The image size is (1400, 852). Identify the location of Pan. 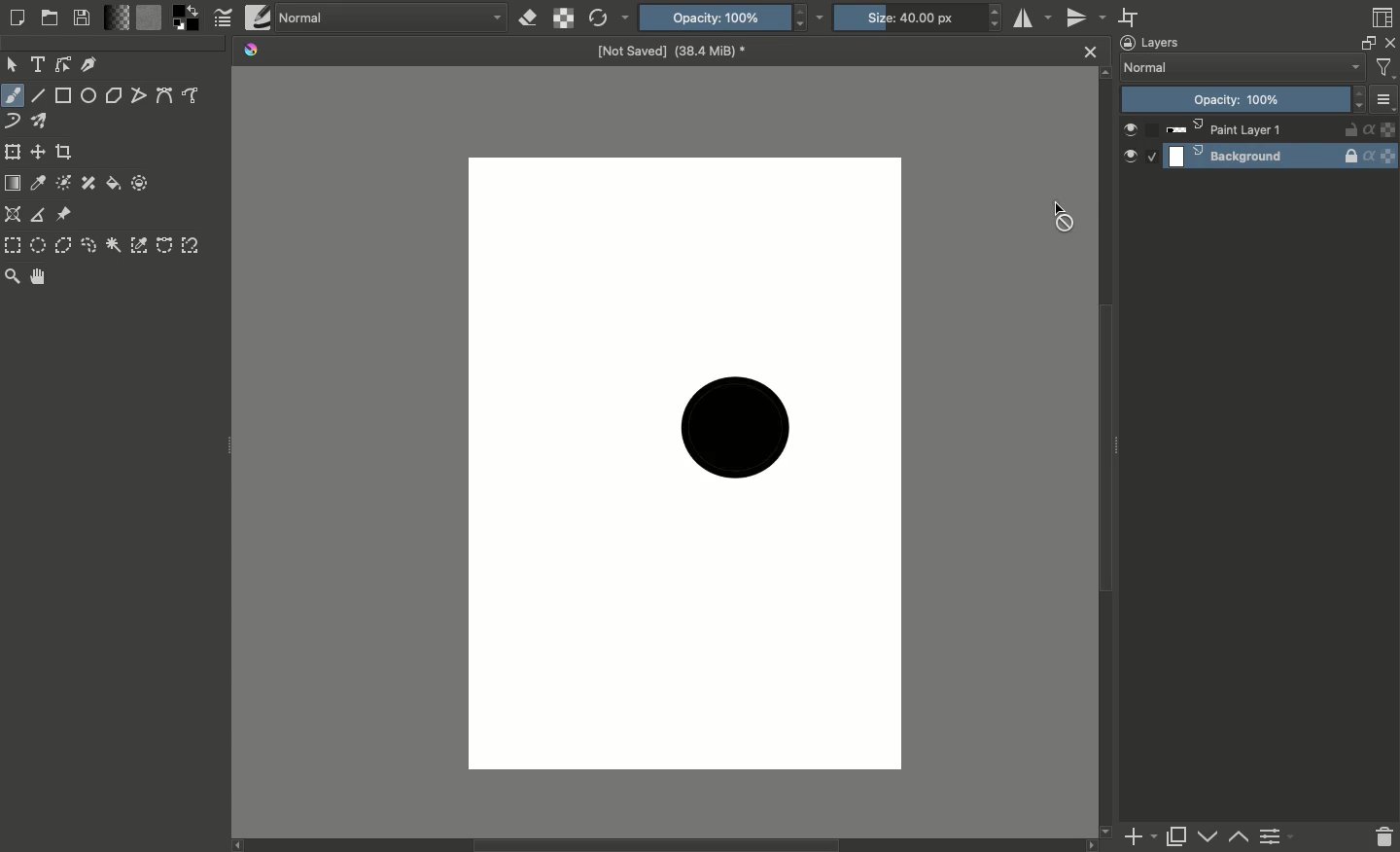
(40, 277).